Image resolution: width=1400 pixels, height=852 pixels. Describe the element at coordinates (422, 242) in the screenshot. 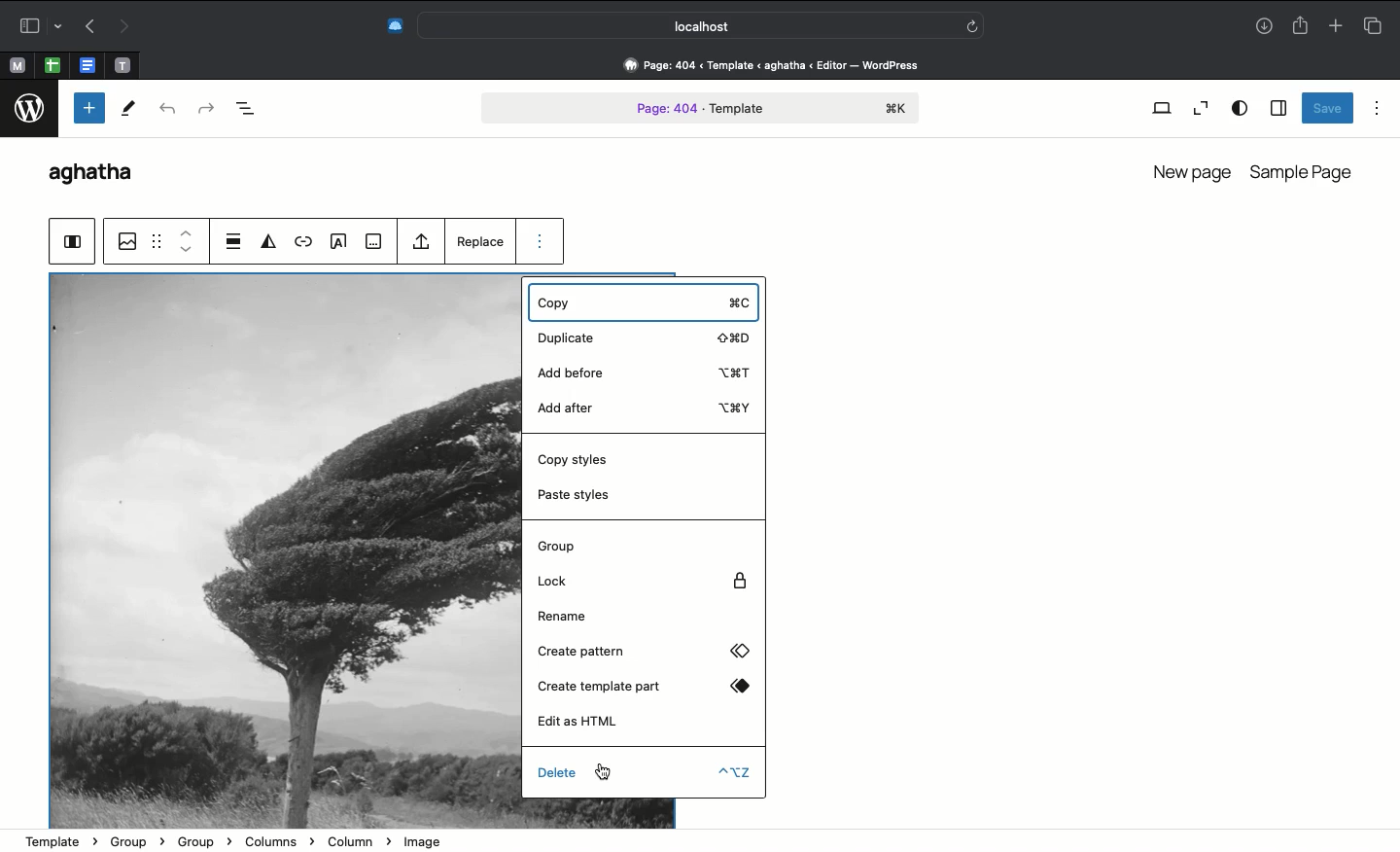

I see `Upload` at that location.